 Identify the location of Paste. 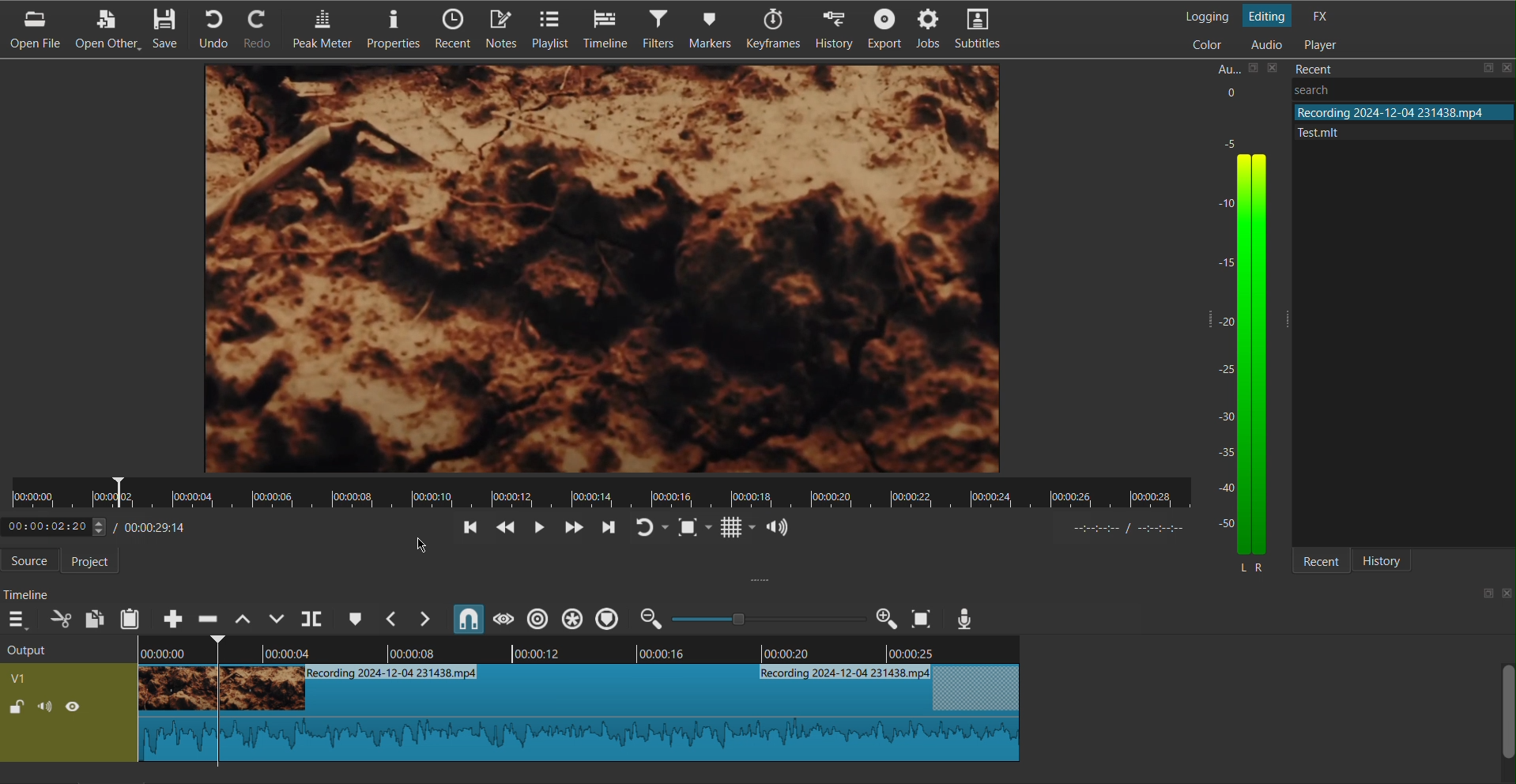
(130, 616).